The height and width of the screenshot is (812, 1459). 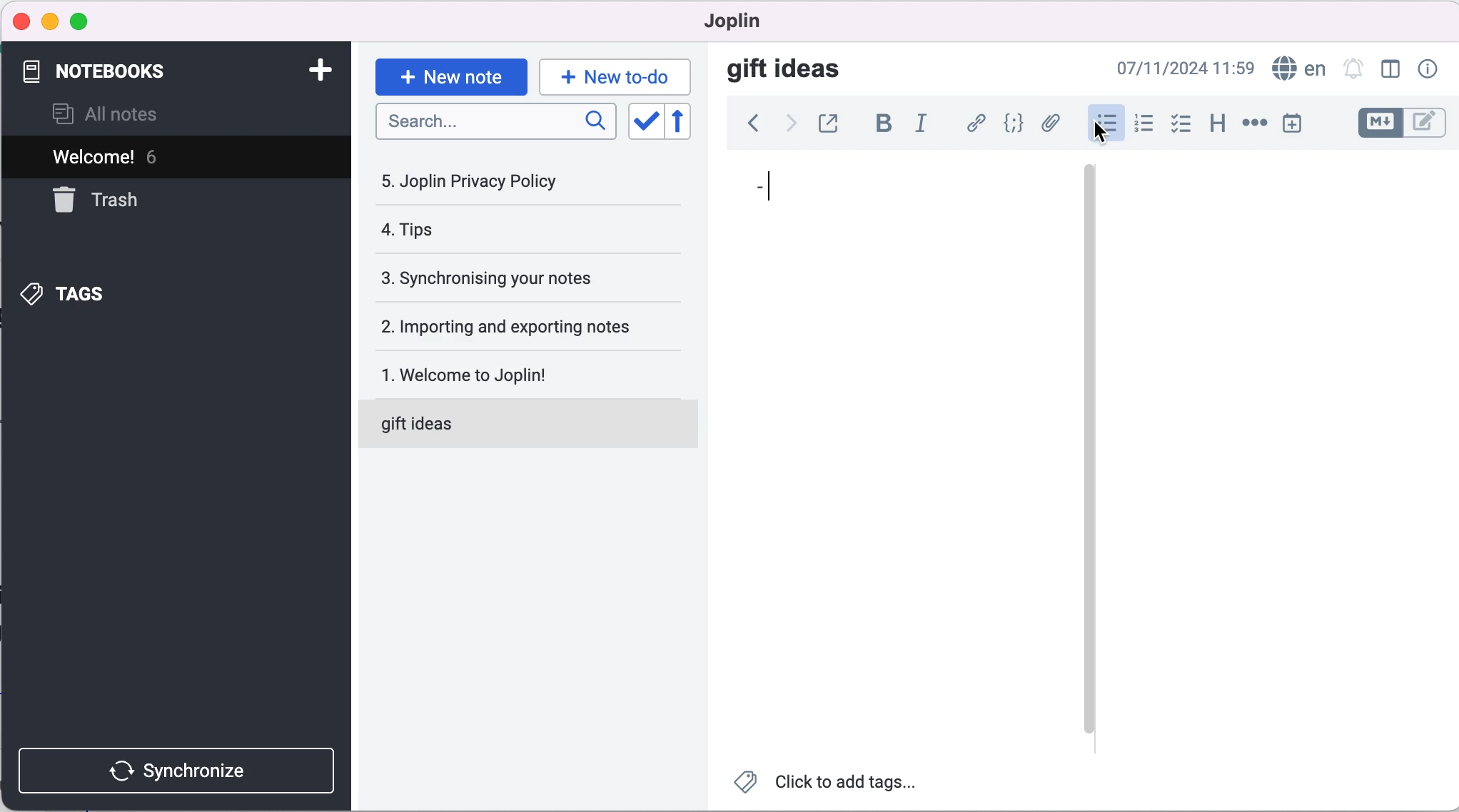 I want to click on notebooks, so click(x=108, y=68).